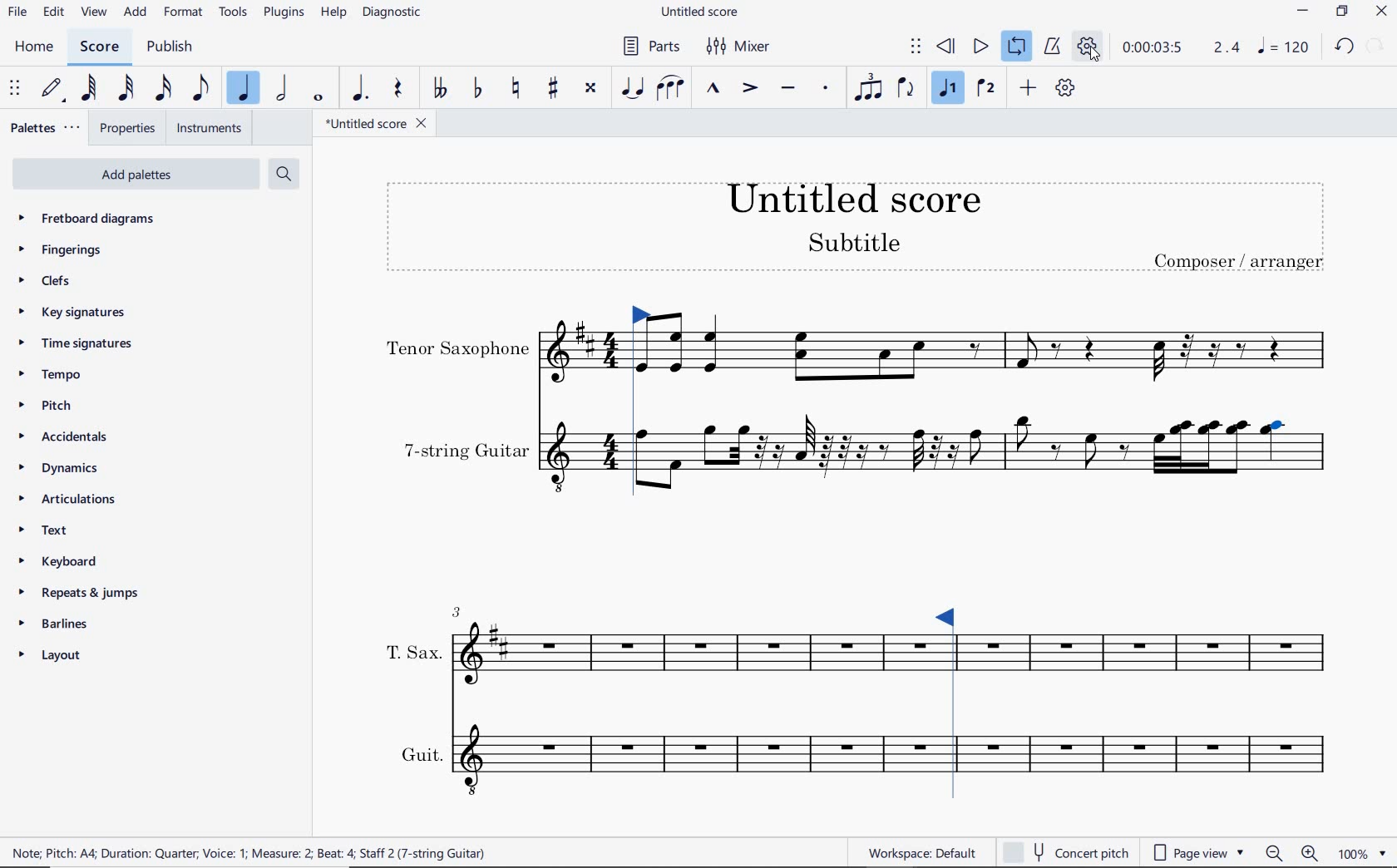  Describe the element at coordinates (55, 627) in the screenshot. I see `BARLINES` at that location.